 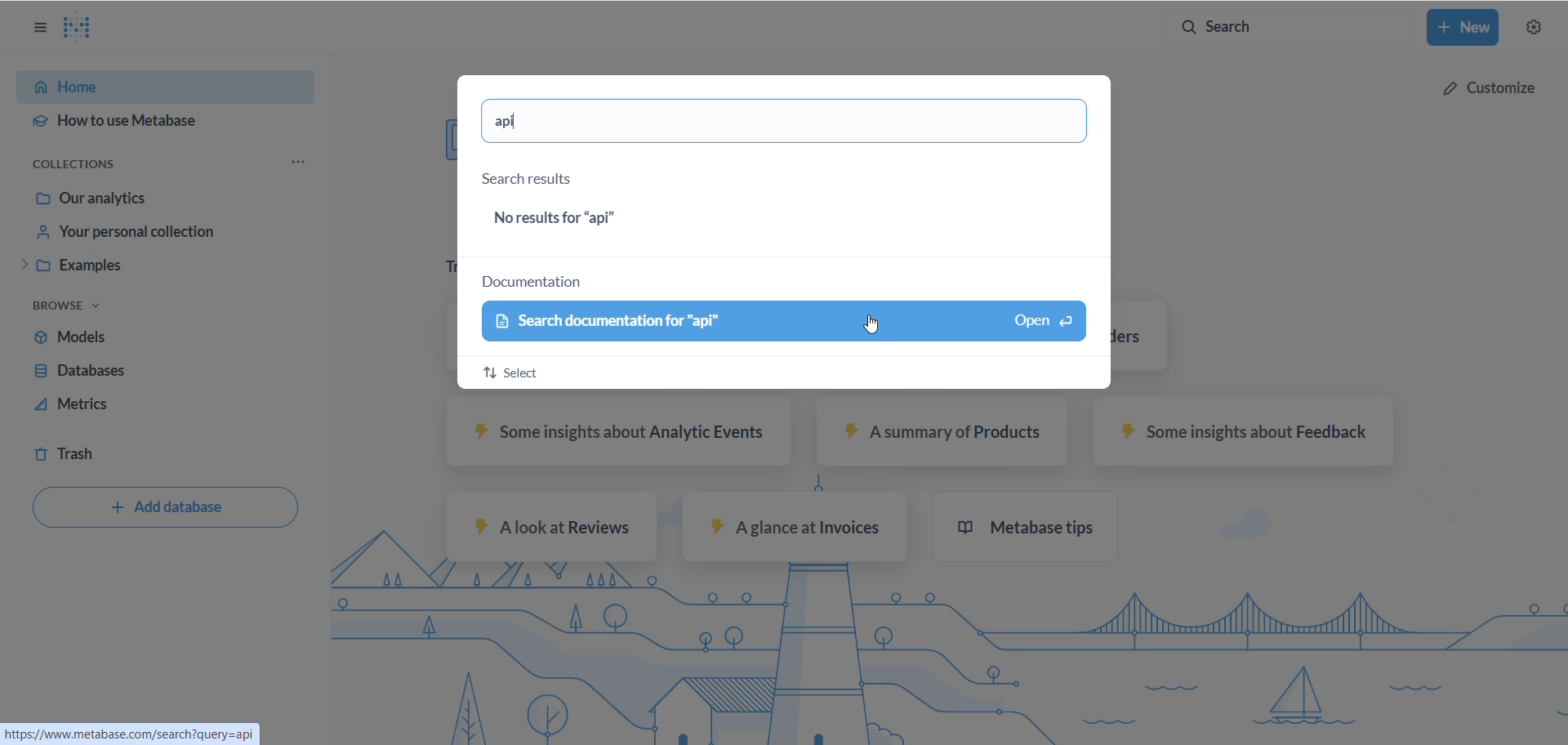 I want to click on browse task, so click(x=71, y=305).